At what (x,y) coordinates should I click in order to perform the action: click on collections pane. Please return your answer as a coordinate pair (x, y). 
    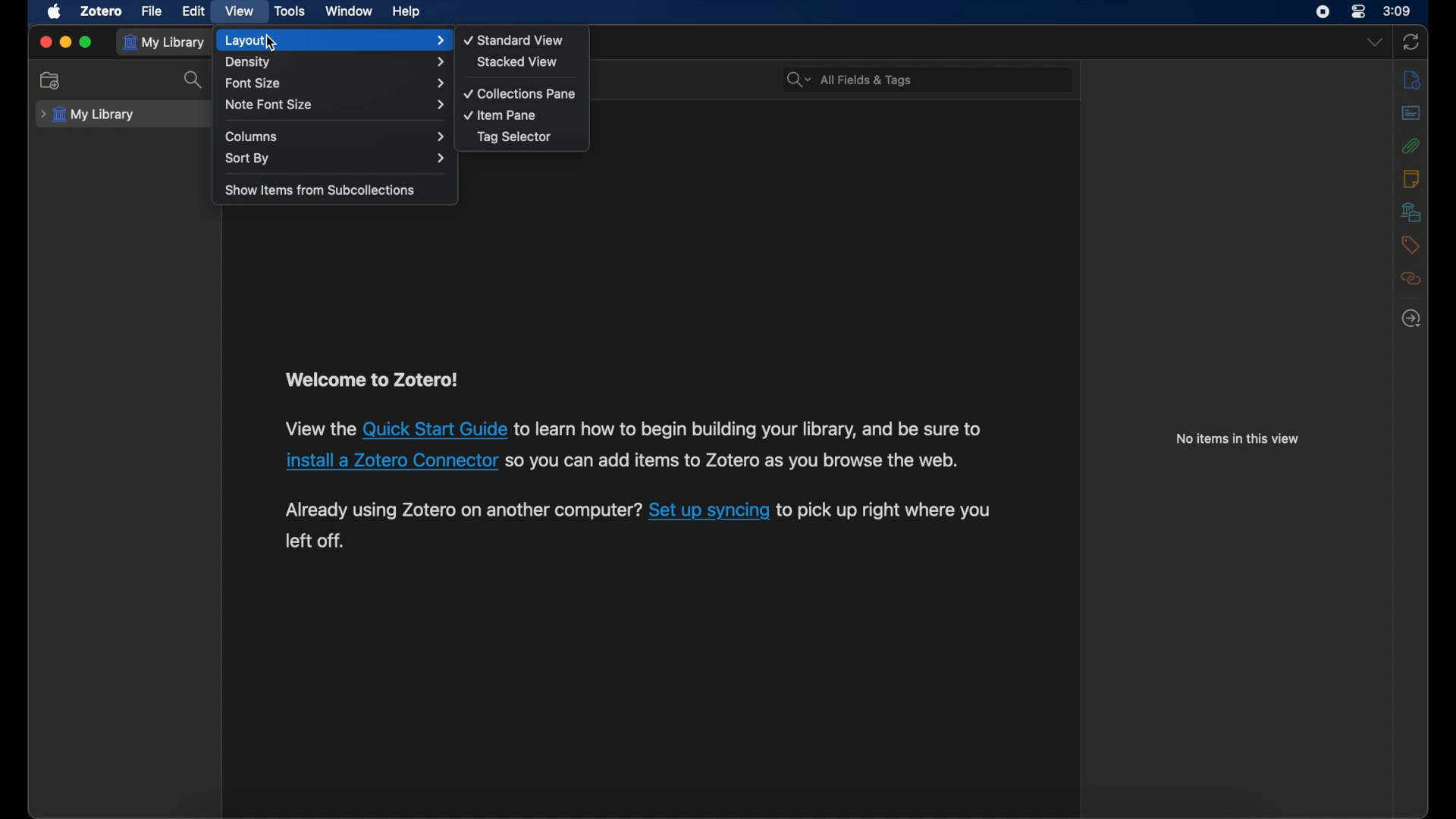
    Looking at the image, I should click on (519, 94).